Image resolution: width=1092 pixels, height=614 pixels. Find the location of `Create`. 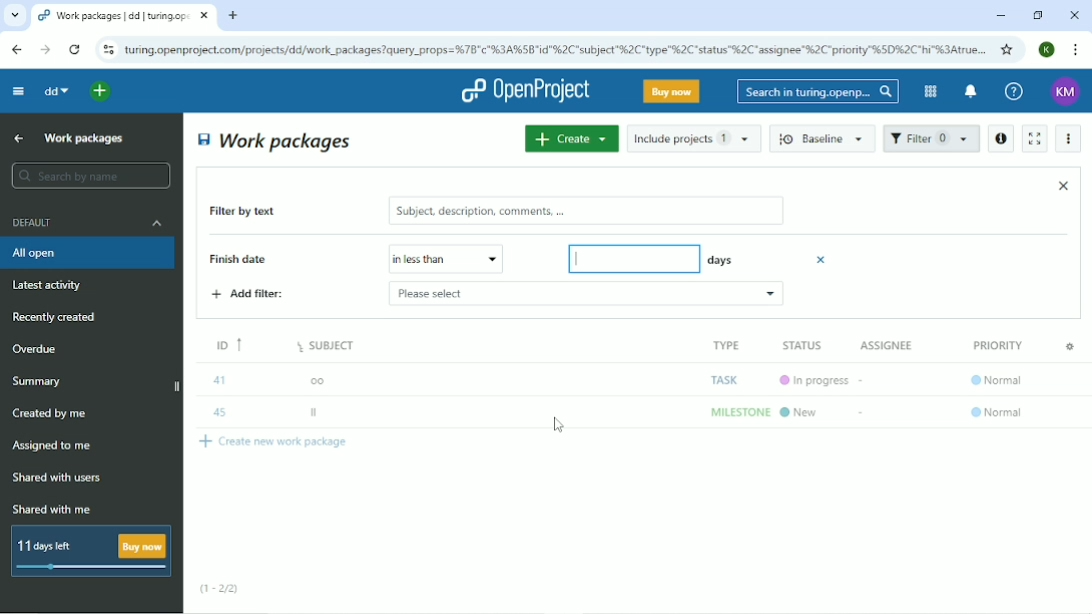

Create is located at coordinates (571, 138).